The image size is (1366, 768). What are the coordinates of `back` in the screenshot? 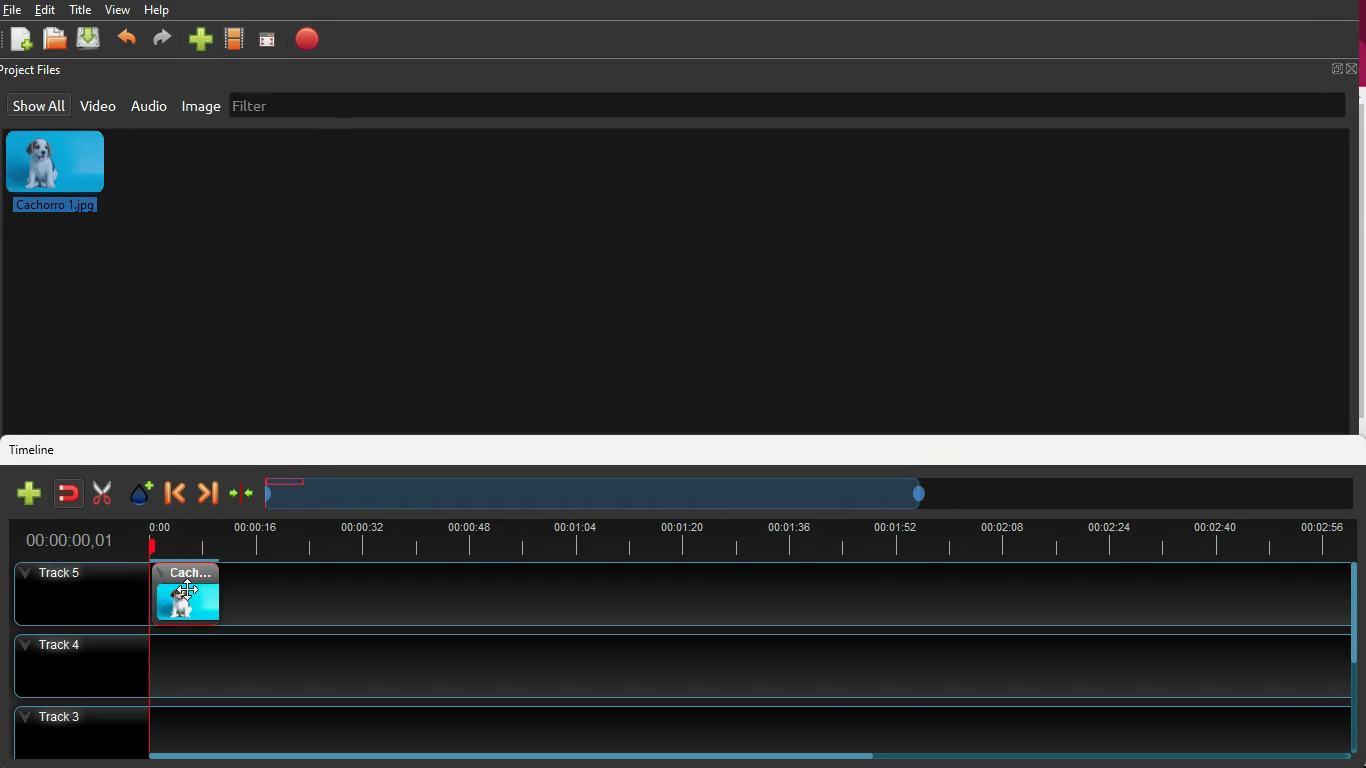 It's located at (129, 38).